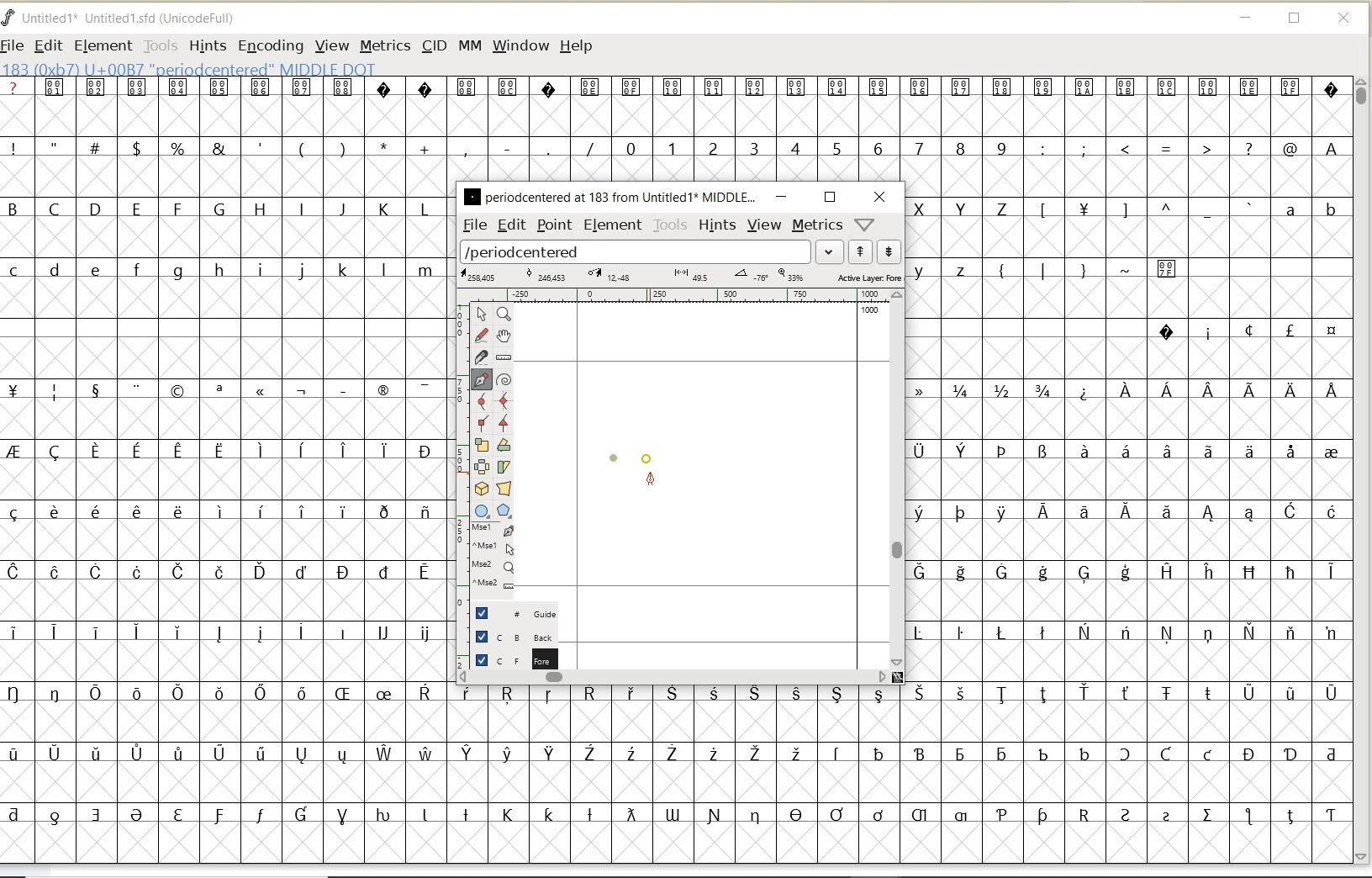 The height and width of the screenshot is (878, 1372). What do you see at coordinates (482, 510) in the screenshot?
I see `rectangle or ellipse` at bounding box center [482, 510].